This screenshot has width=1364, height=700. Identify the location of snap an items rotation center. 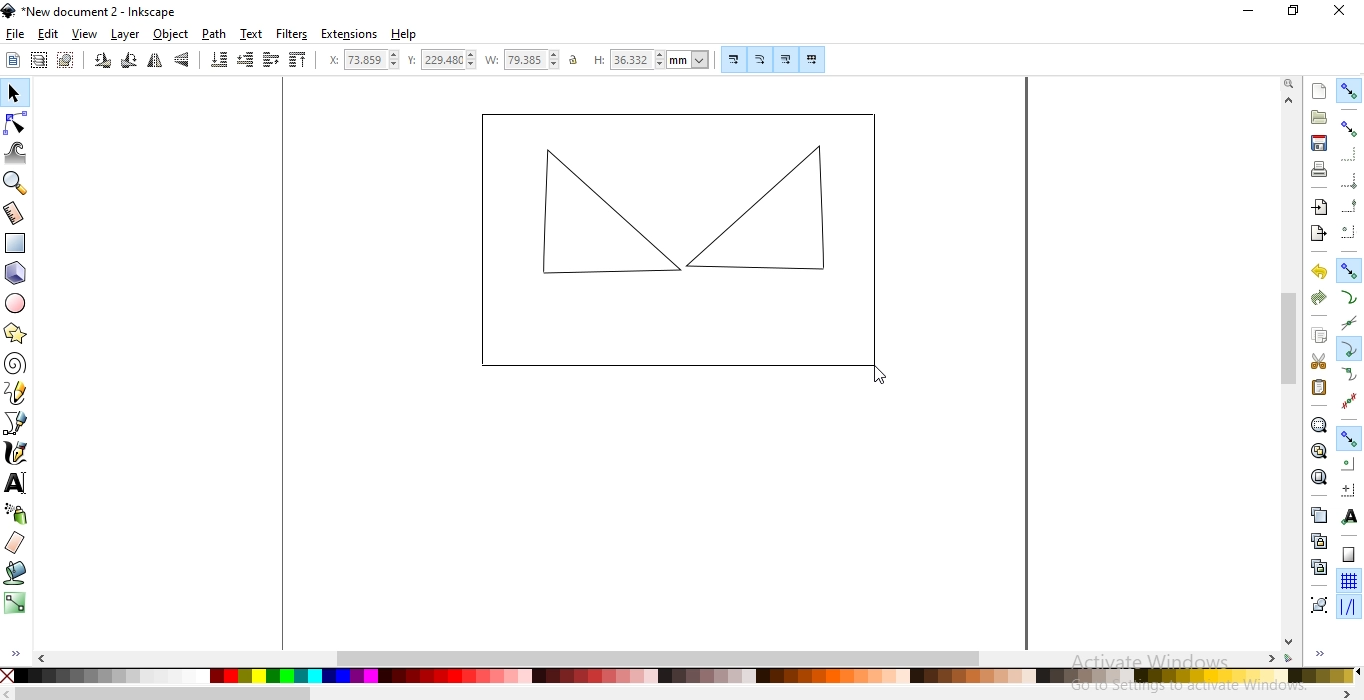
(1348, 489).